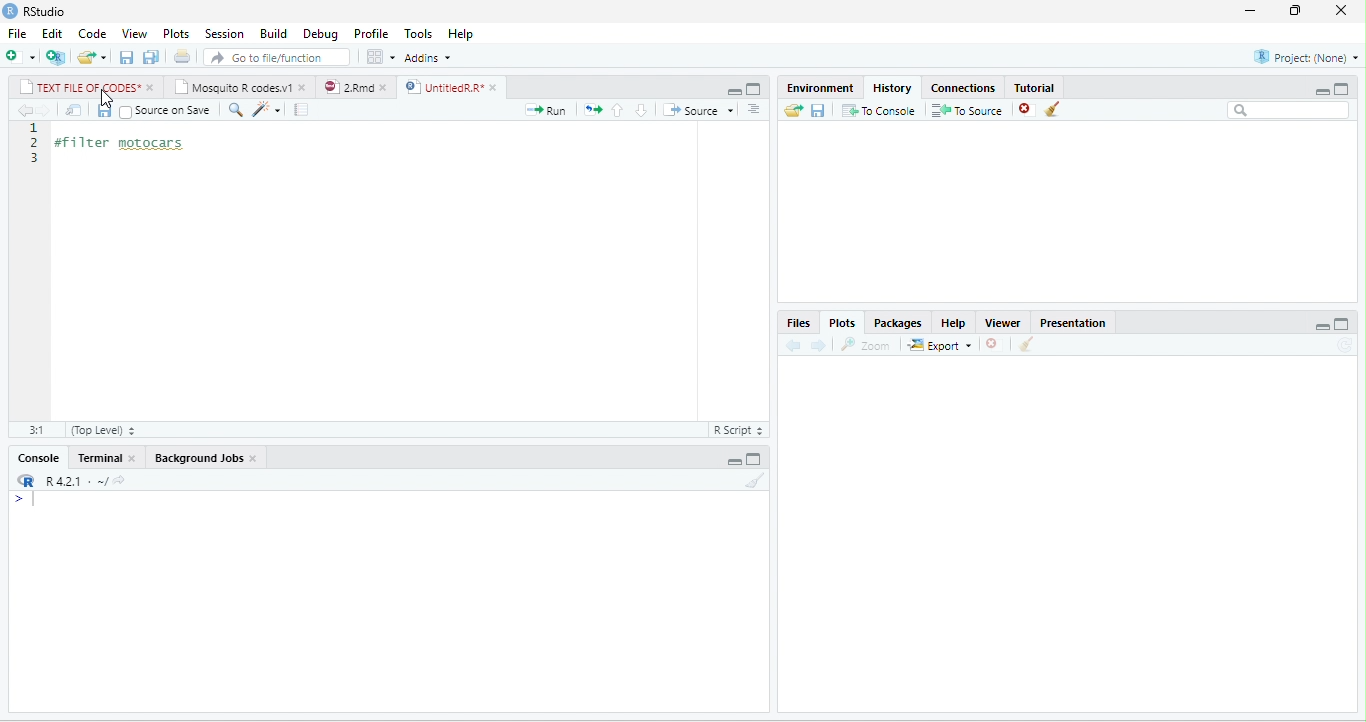 The image size is (1366, 722). Describe the element at coordinates (273, 33) in the screenshot. I see `Build` at that location.